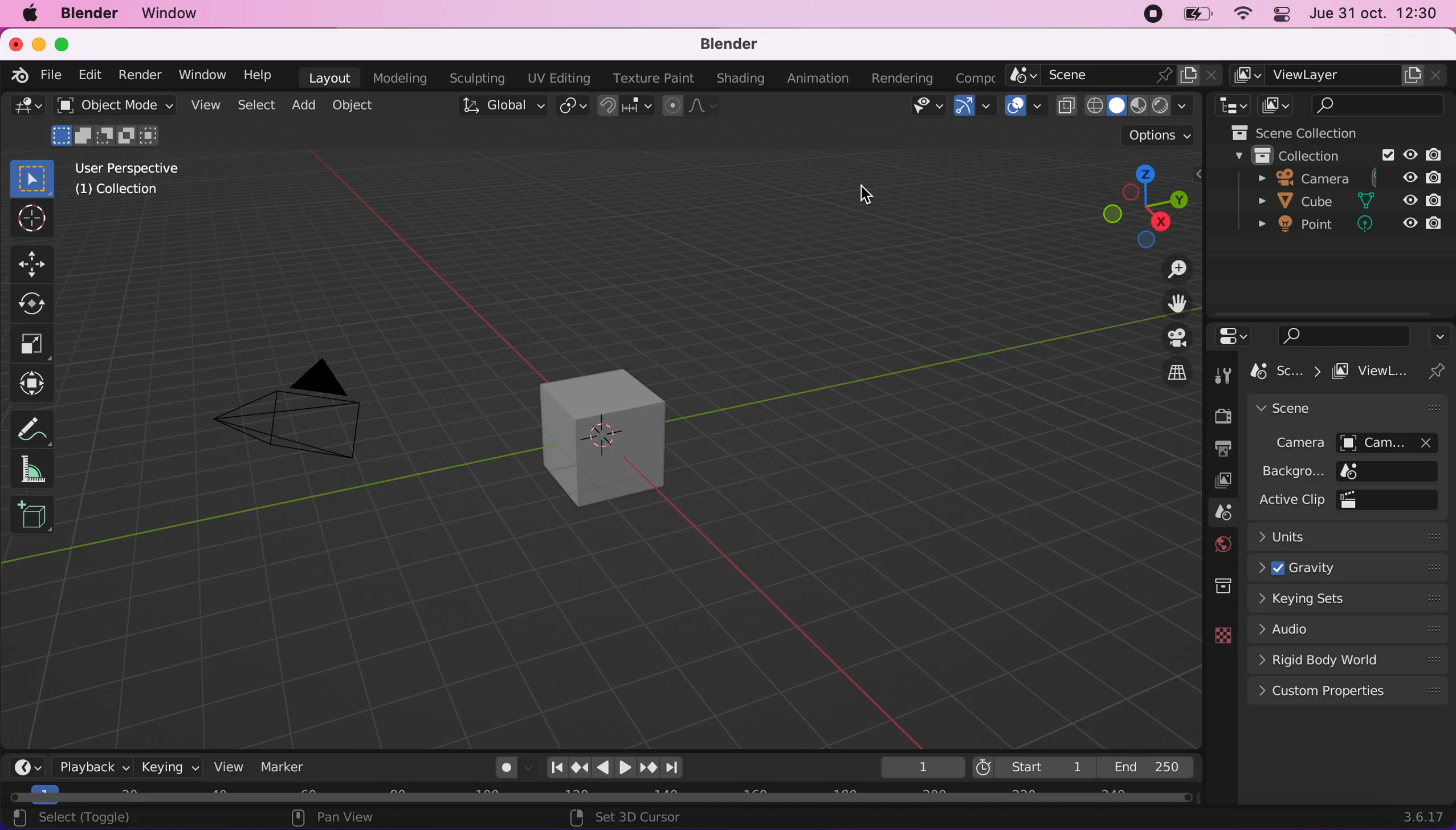 The image size is (1456, 830). I want to click on add, so click(308, 107).